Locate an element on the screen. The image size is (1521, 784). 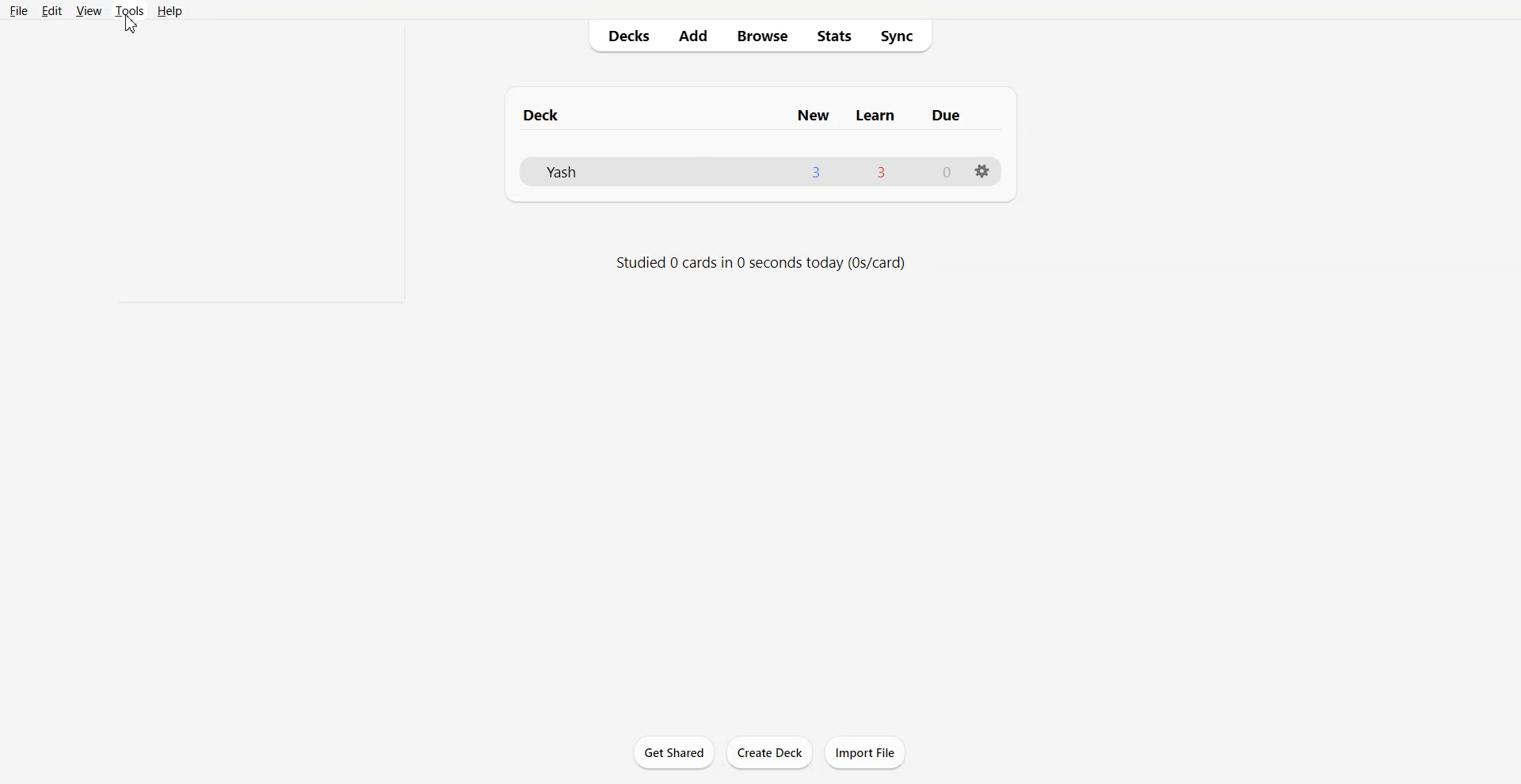
Sync is located at coordinates (899, 36).